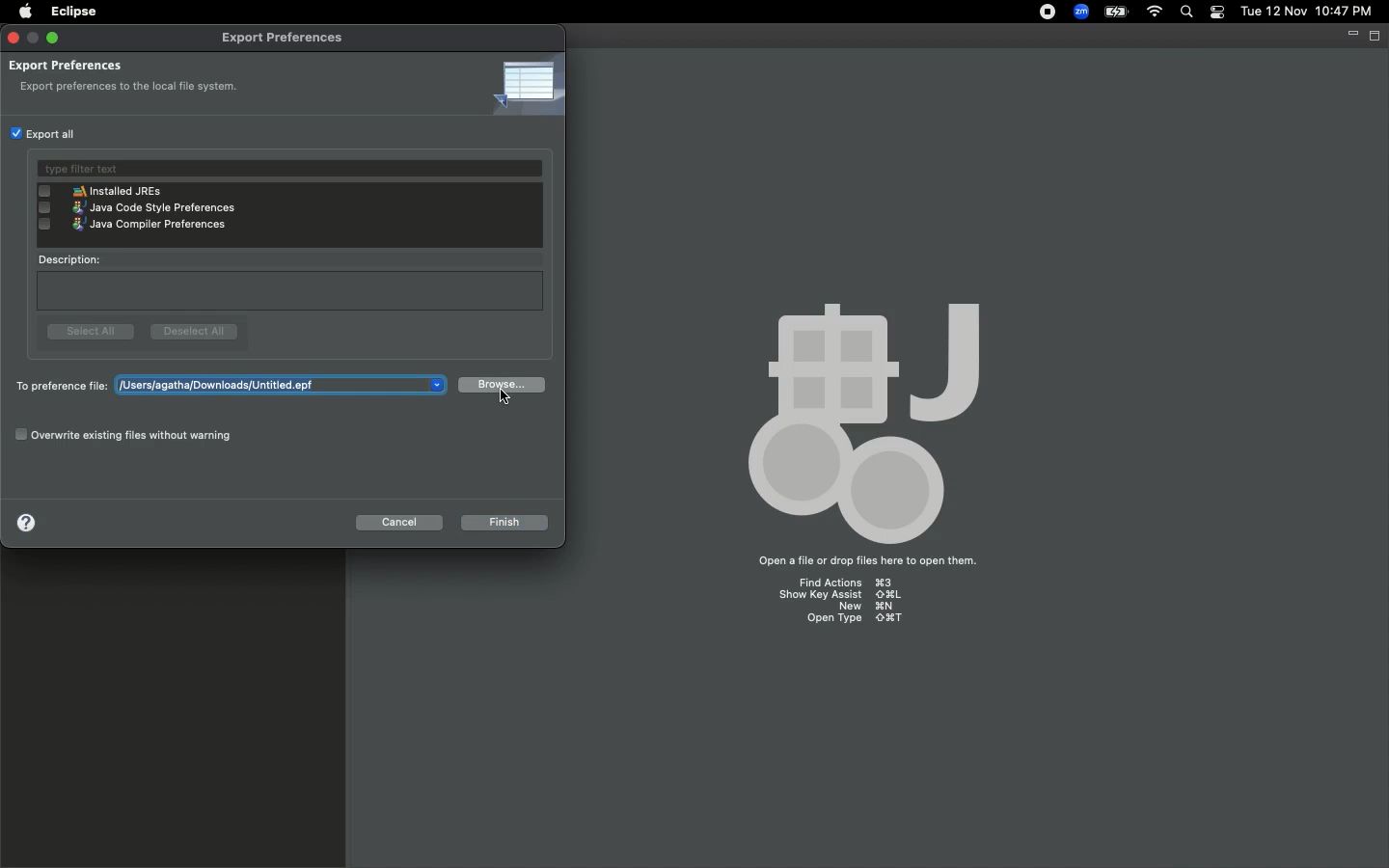  What do you see at coordinates (860, 562) in the screenshot?
I see `open a file or drop files here to open them. ` at bounding box center [860, 562].